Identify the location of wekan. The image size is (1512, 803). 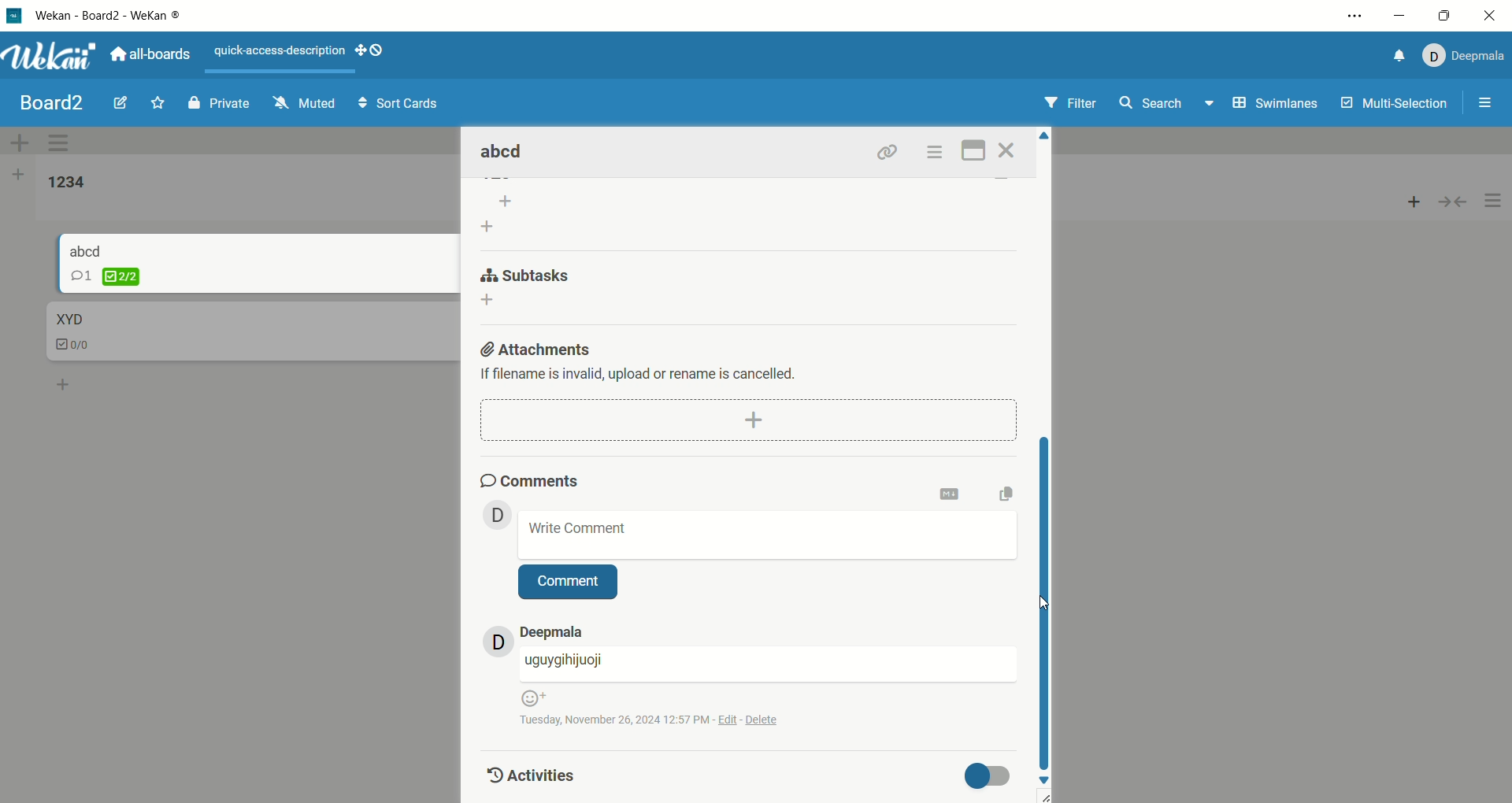
(50, 58).